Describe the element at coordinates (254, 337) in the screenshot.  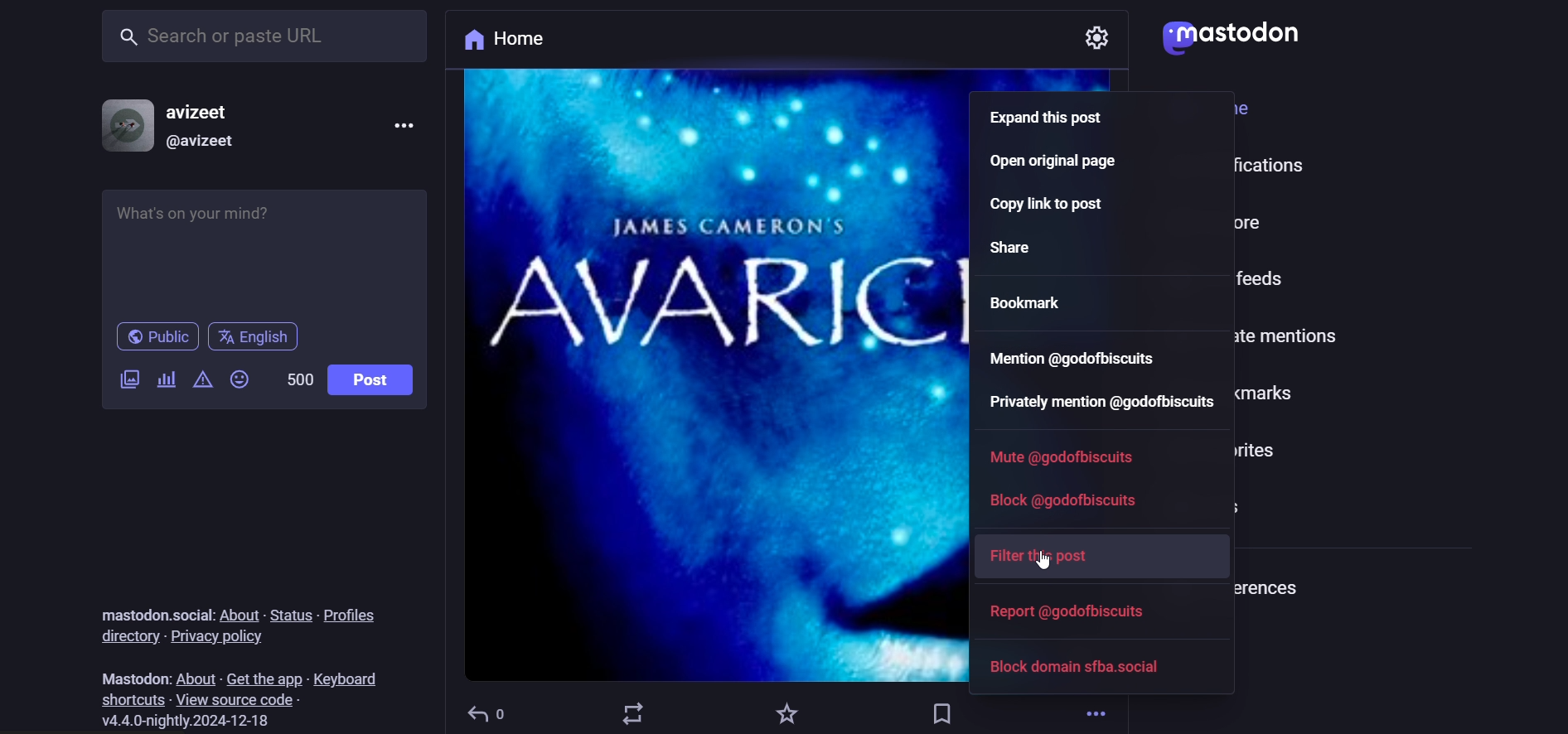
I see `english` at that location.